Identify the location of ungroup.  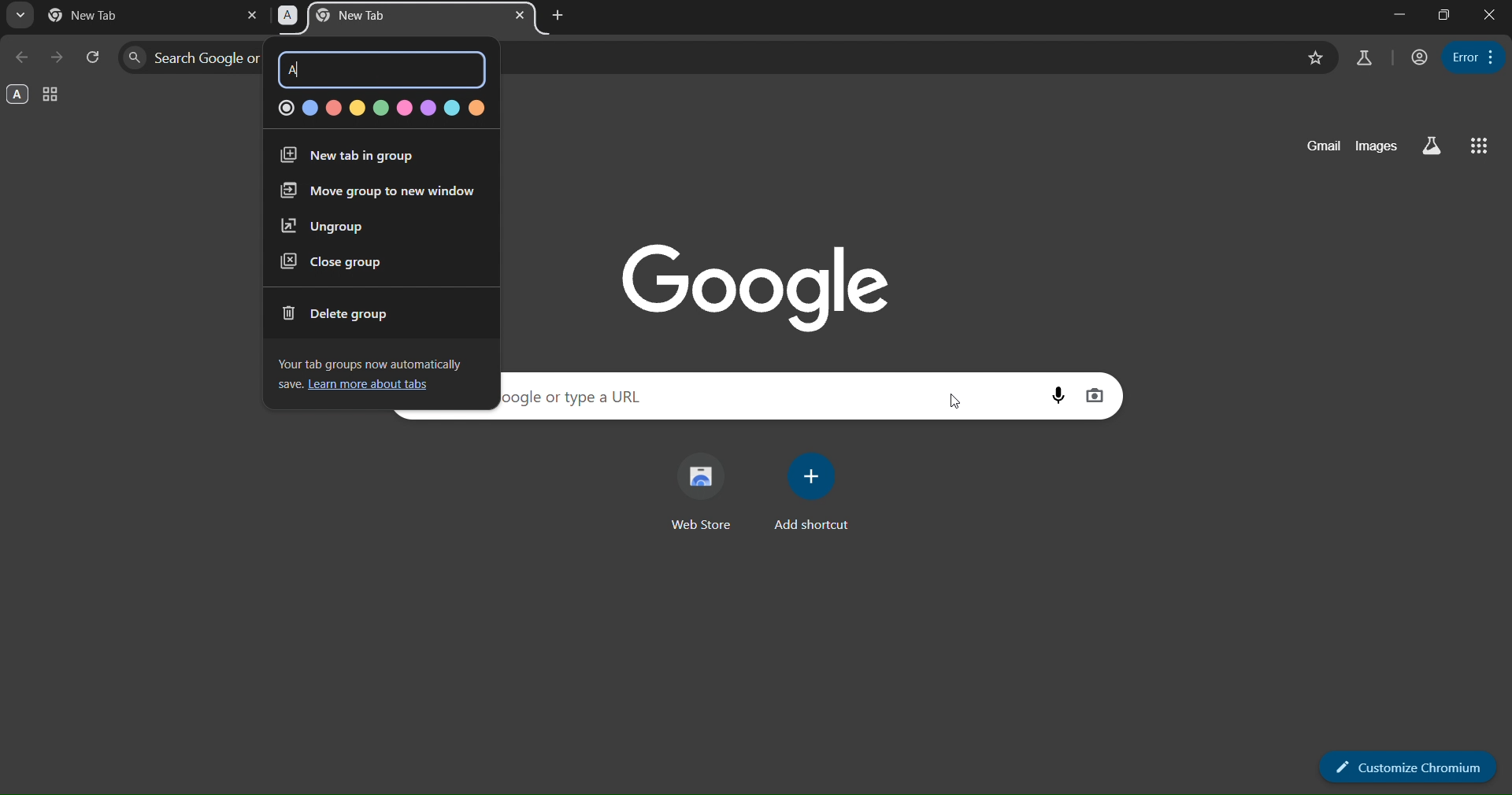
(326, 225).